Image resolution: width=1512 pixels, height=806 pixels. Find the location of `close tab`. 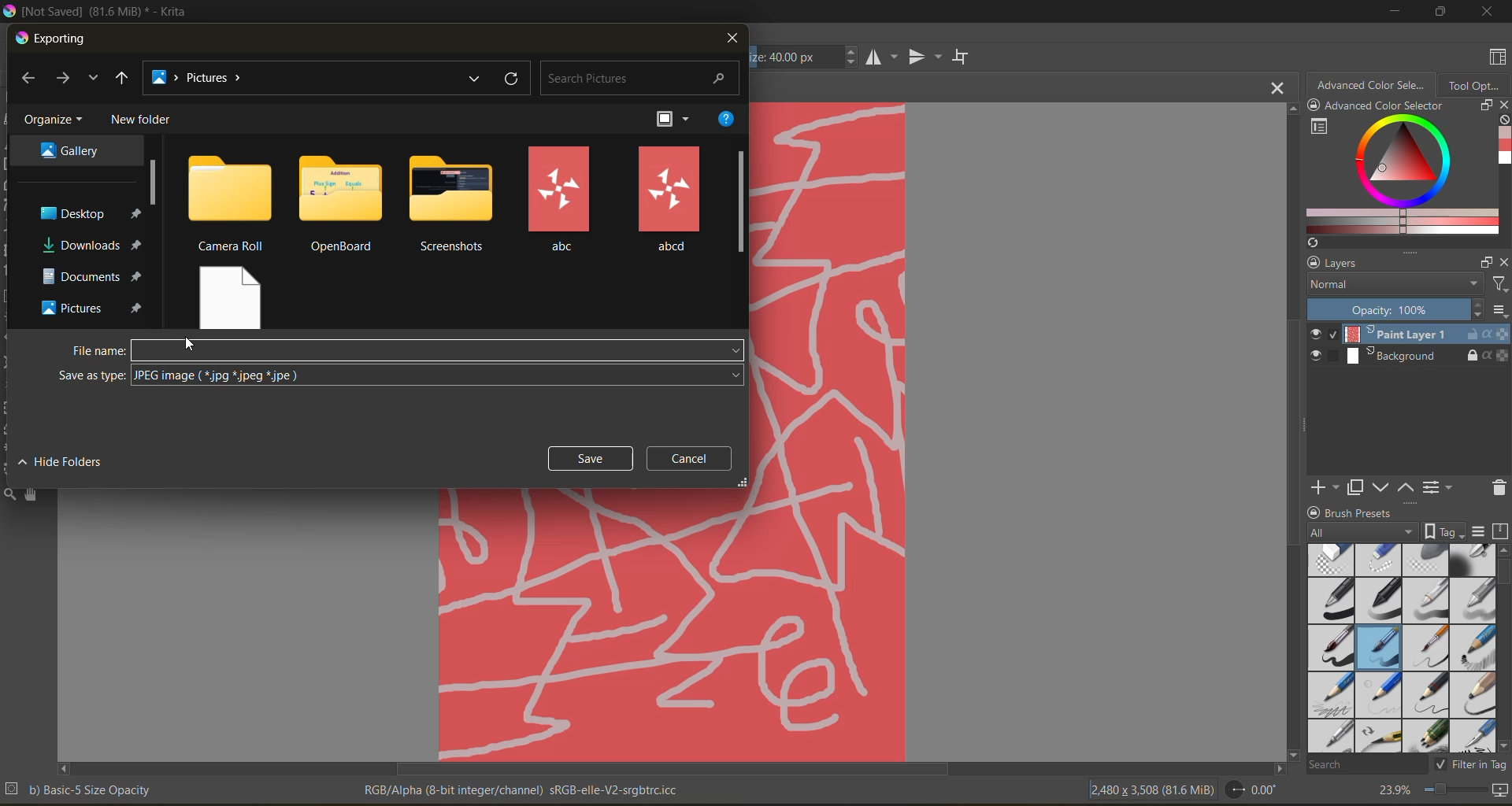

close tab is located at coordinates (1279, 87).